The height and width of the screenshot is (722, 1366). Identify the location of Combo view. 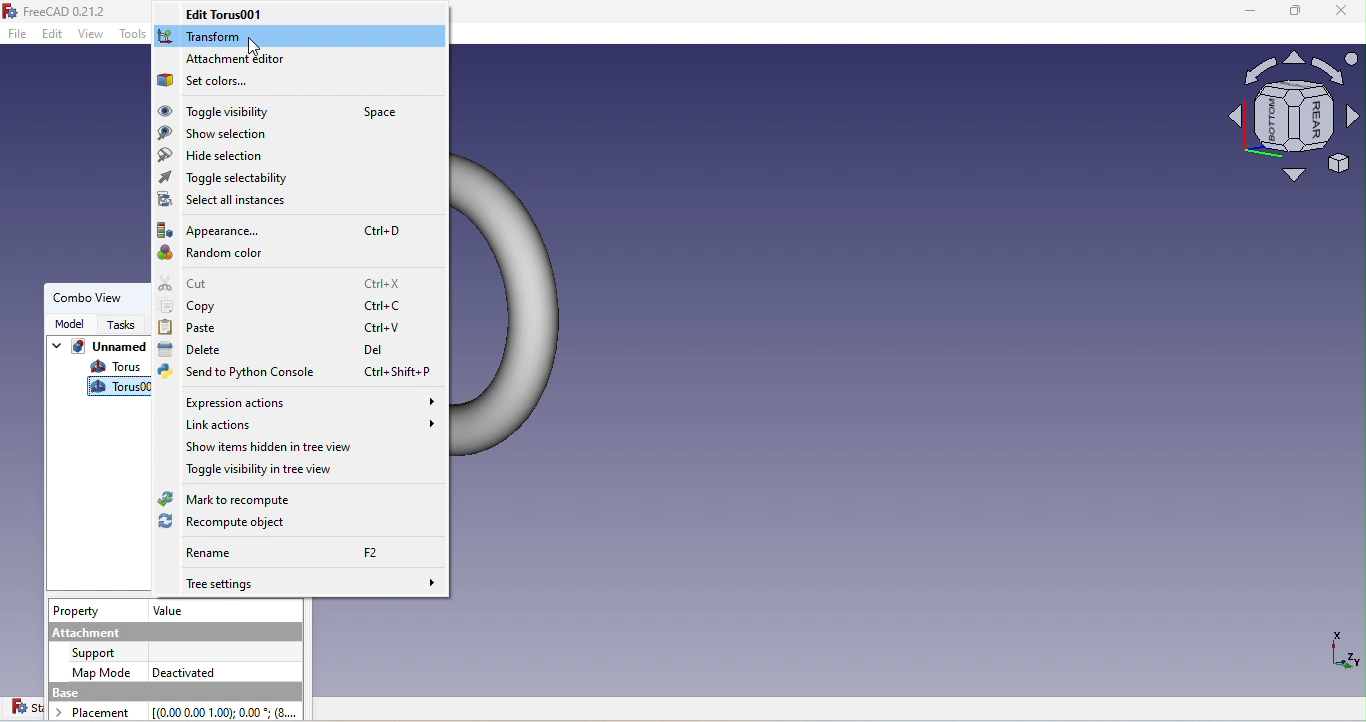
(83, 296).